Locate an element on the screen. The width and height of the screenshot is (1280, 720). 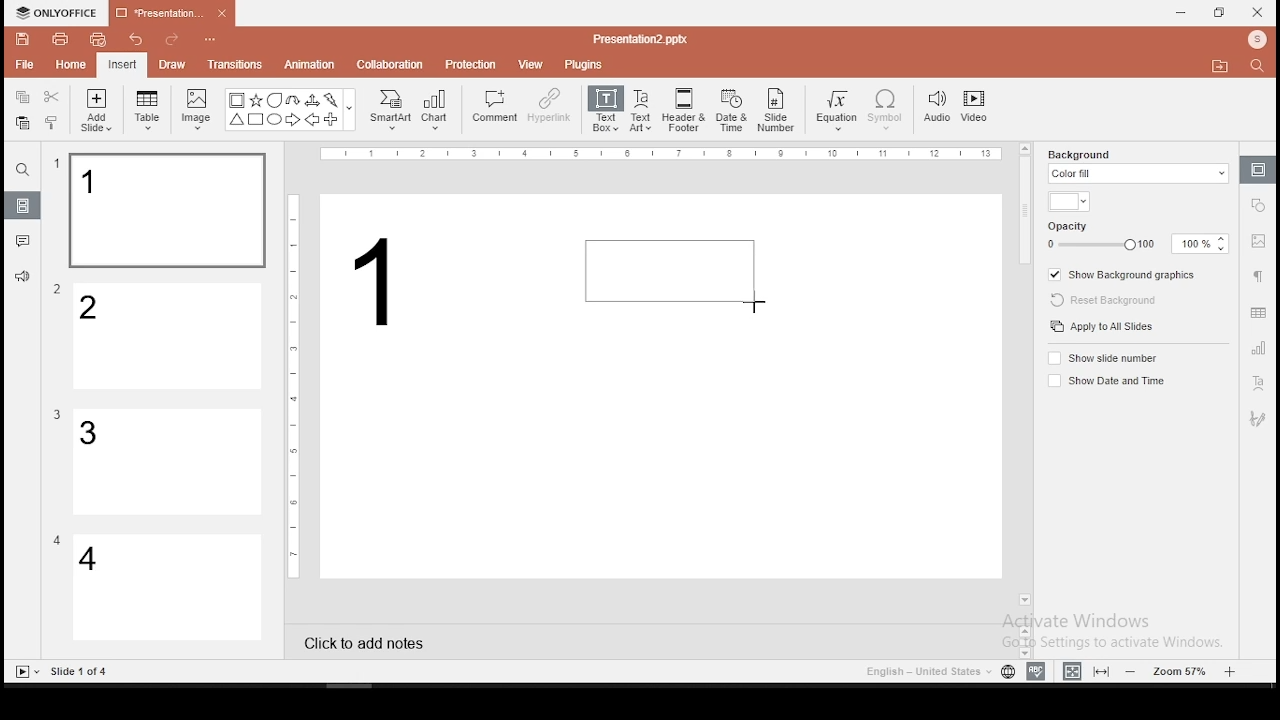
home is located at coordinates (69, 64).